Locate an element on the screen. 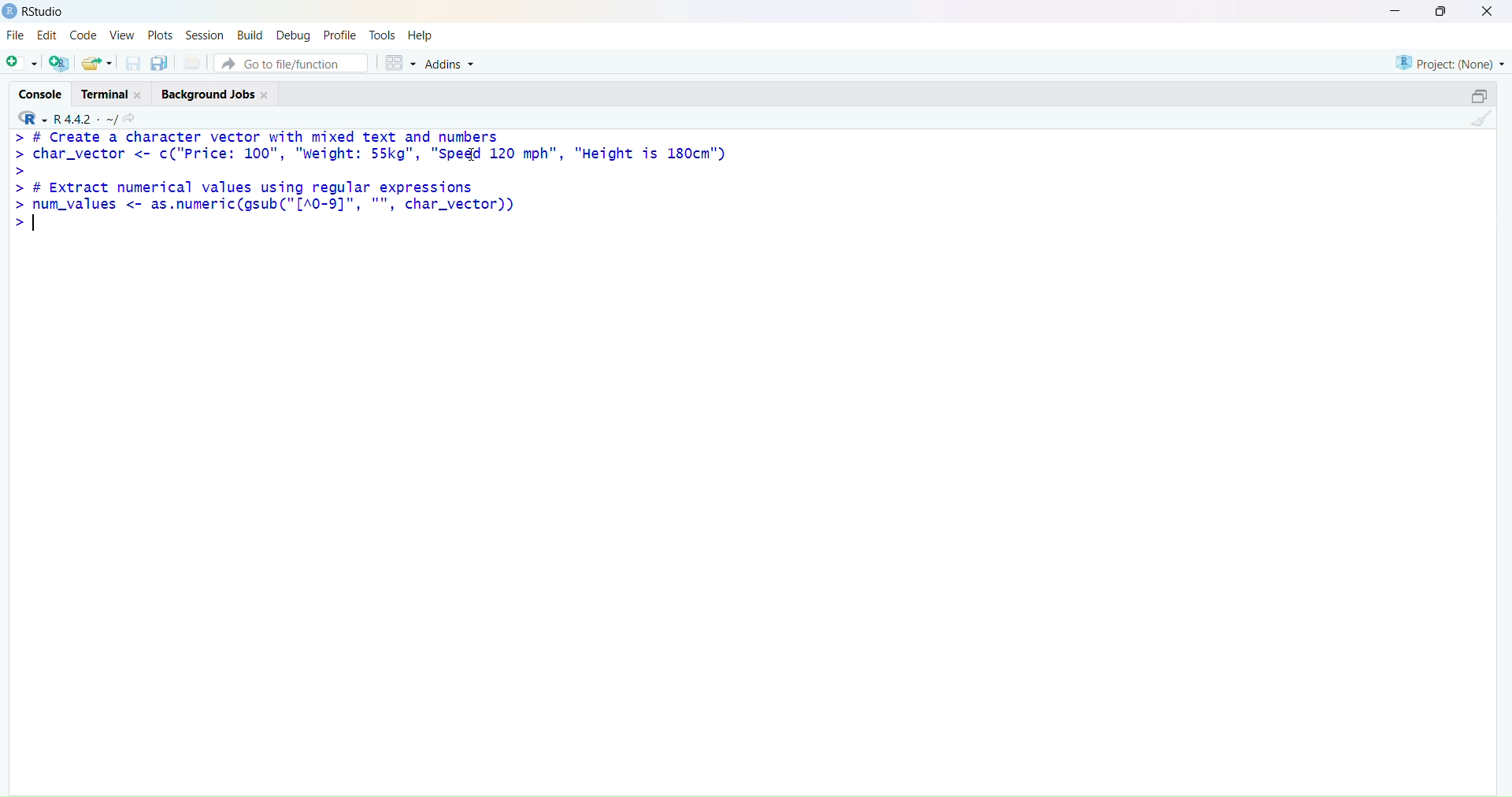  tools is located at coordinates (383, 35).